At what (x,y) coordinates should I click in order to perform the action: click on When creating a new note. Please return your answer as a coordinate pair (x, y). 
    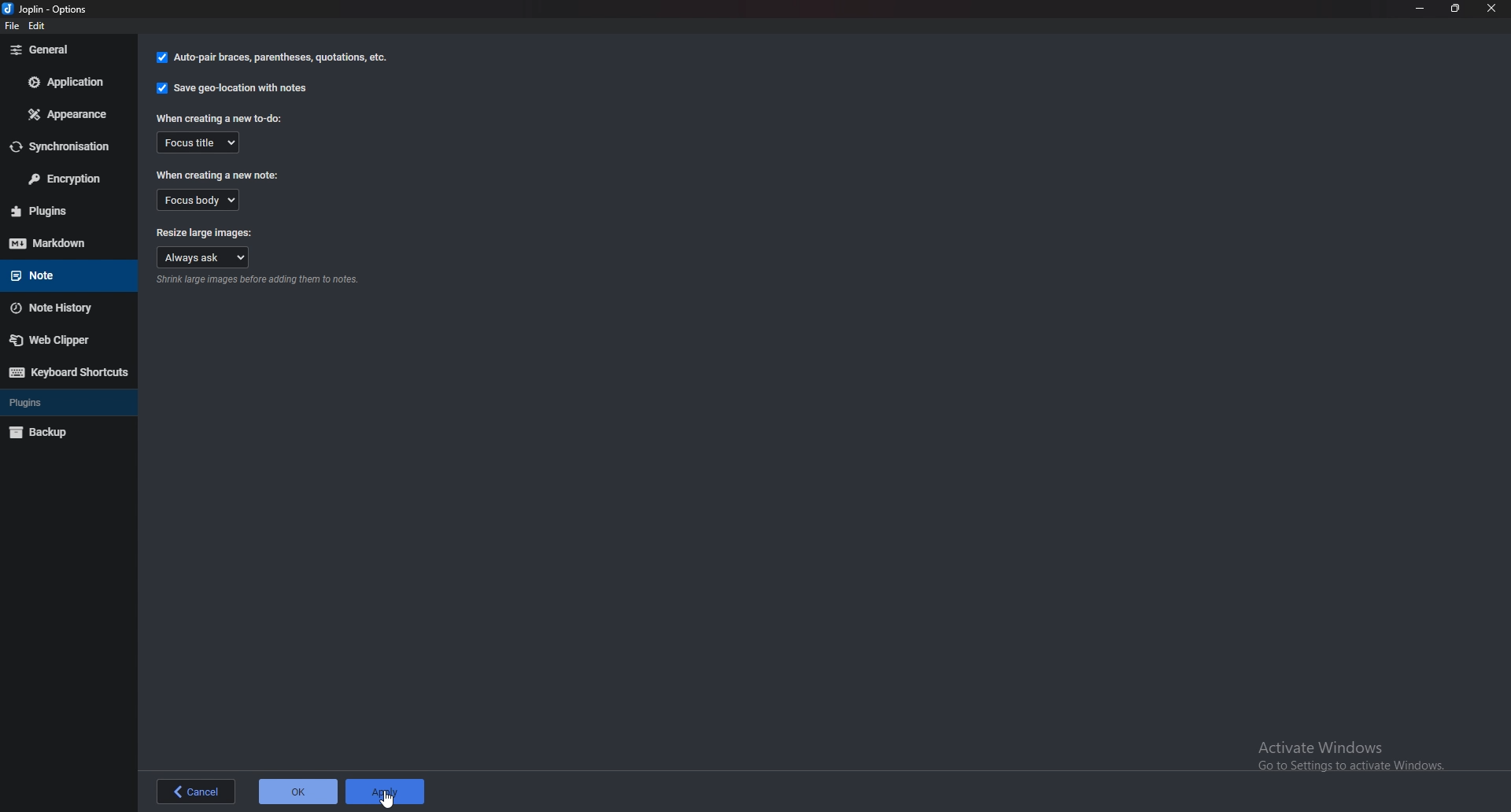
    Looking at the image, I should click on (222, 174).